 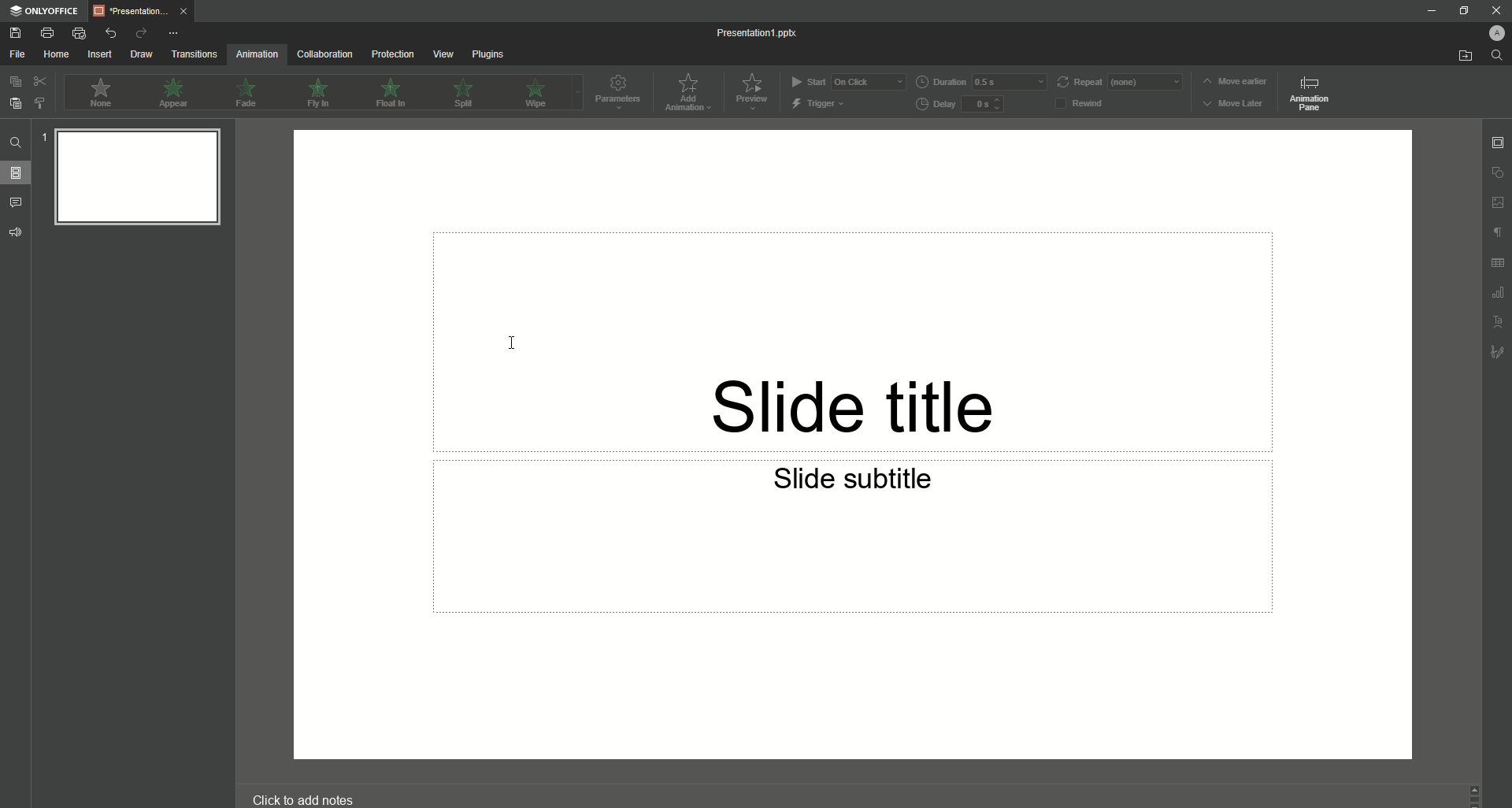 What do you see at coordinates (246, 92) in the screenshot?
I see `Fade` at bounding box center [246, 92].